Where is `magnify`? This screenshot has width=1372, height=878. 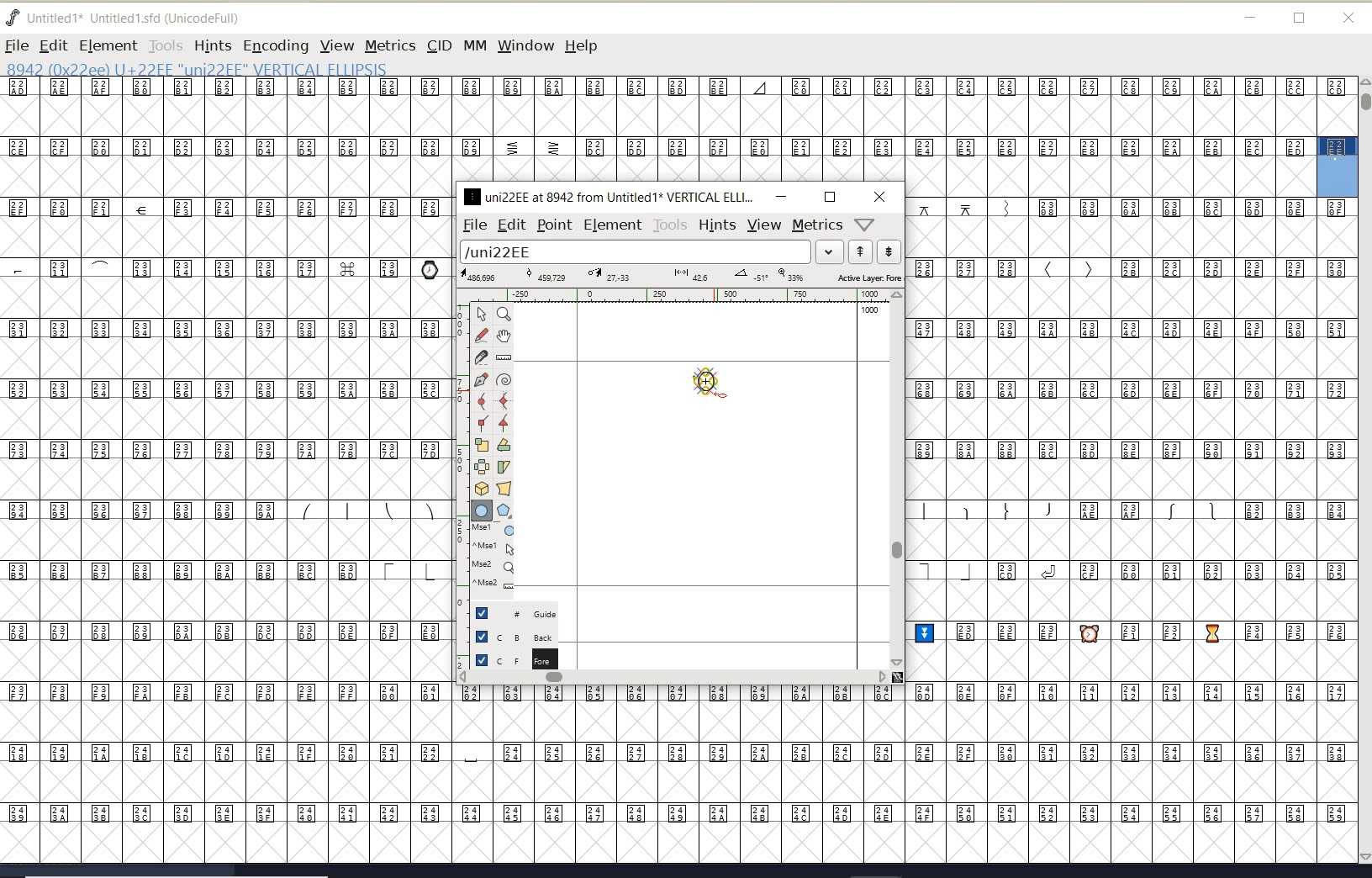
magnify is located at coordinates (504, 314).